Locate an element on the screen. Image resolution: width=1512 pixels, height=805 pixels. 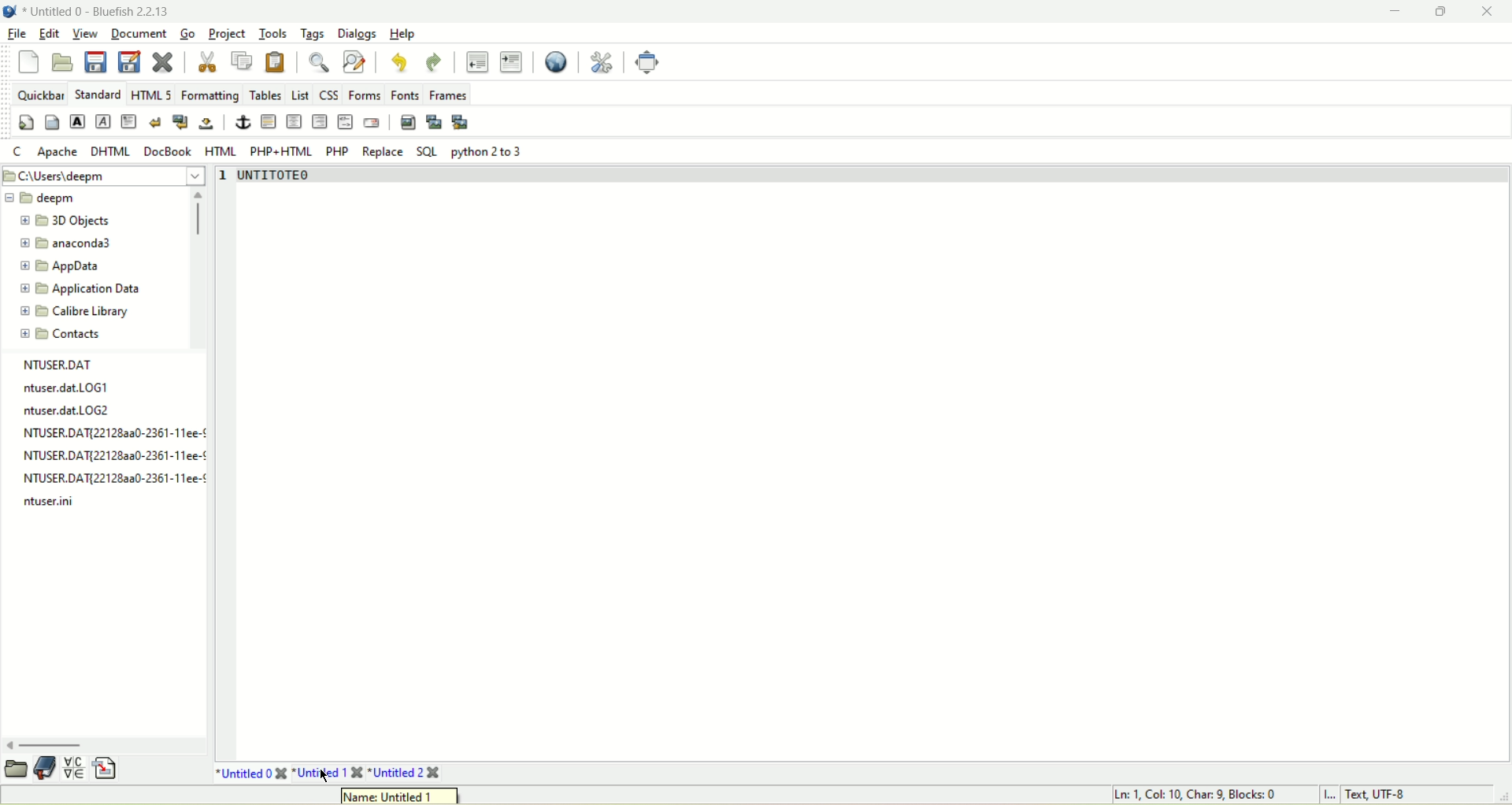
Tools is located at coordinates (271, 33).